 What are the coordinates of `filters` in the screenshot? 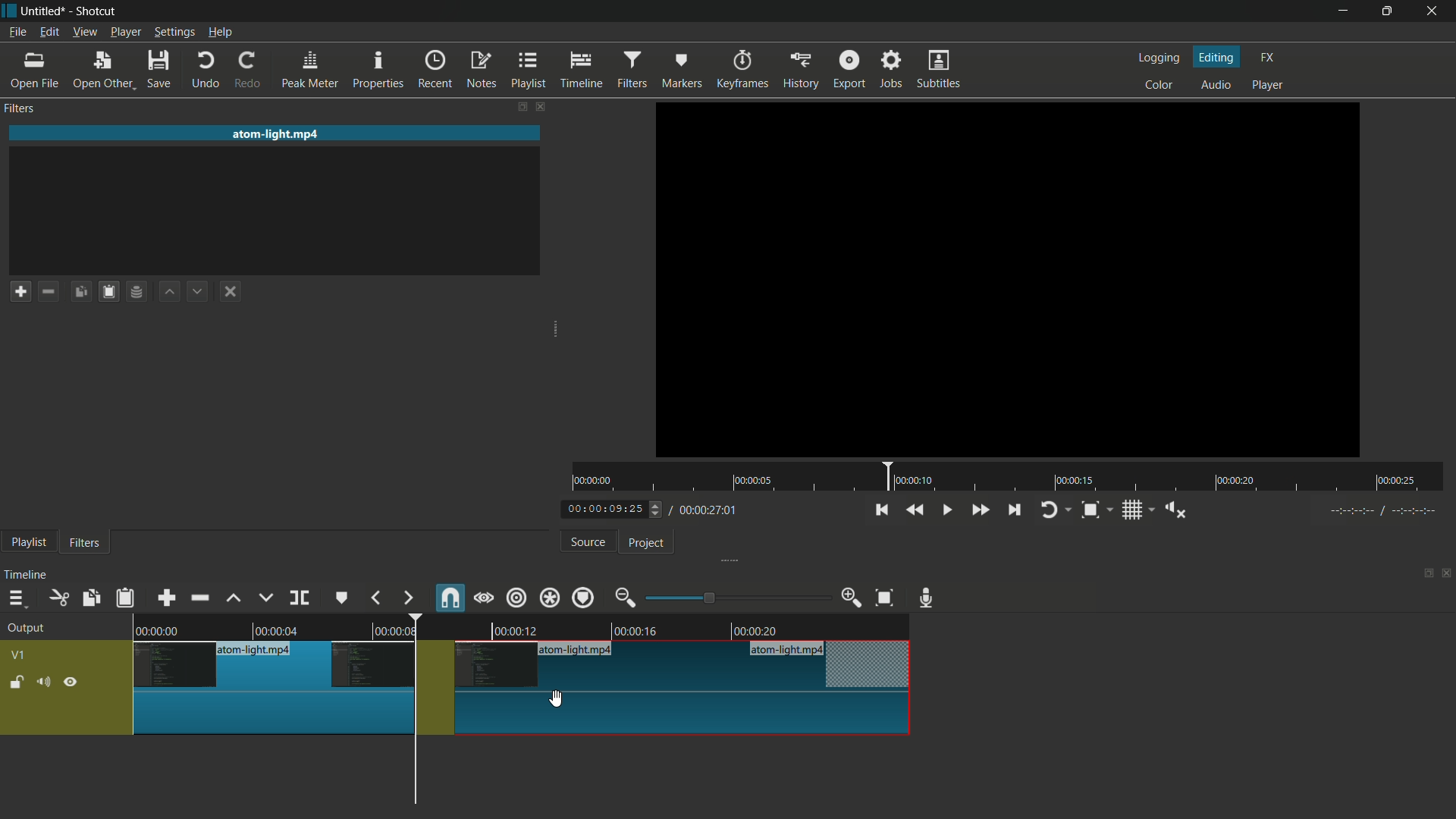 It's located at (635, 70).